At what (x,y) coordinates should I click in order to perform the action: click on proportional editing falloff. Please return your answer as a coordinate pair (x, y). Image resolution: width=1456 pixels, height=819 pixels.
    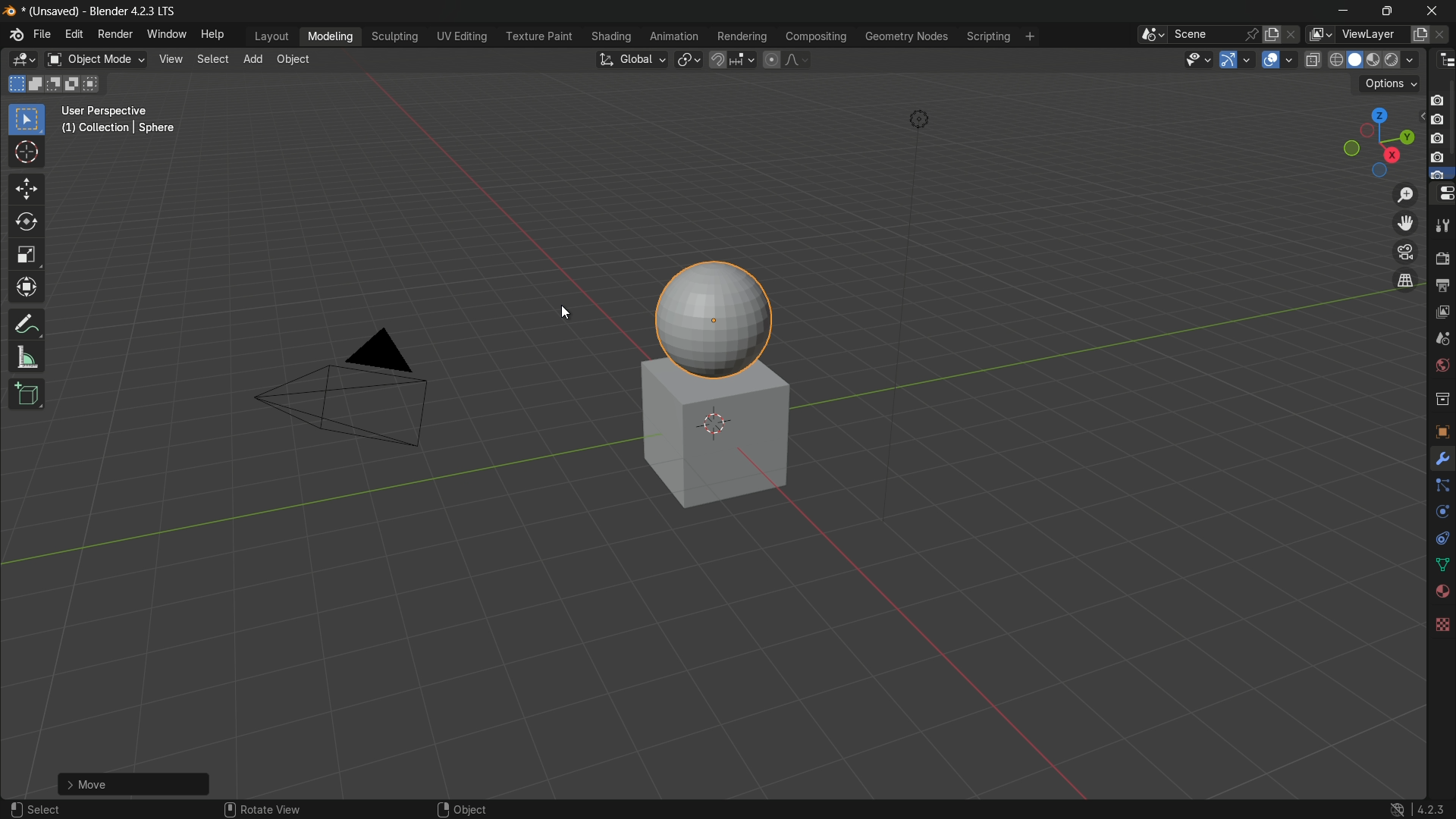
    Looking at the image, I should click on (797, 59).